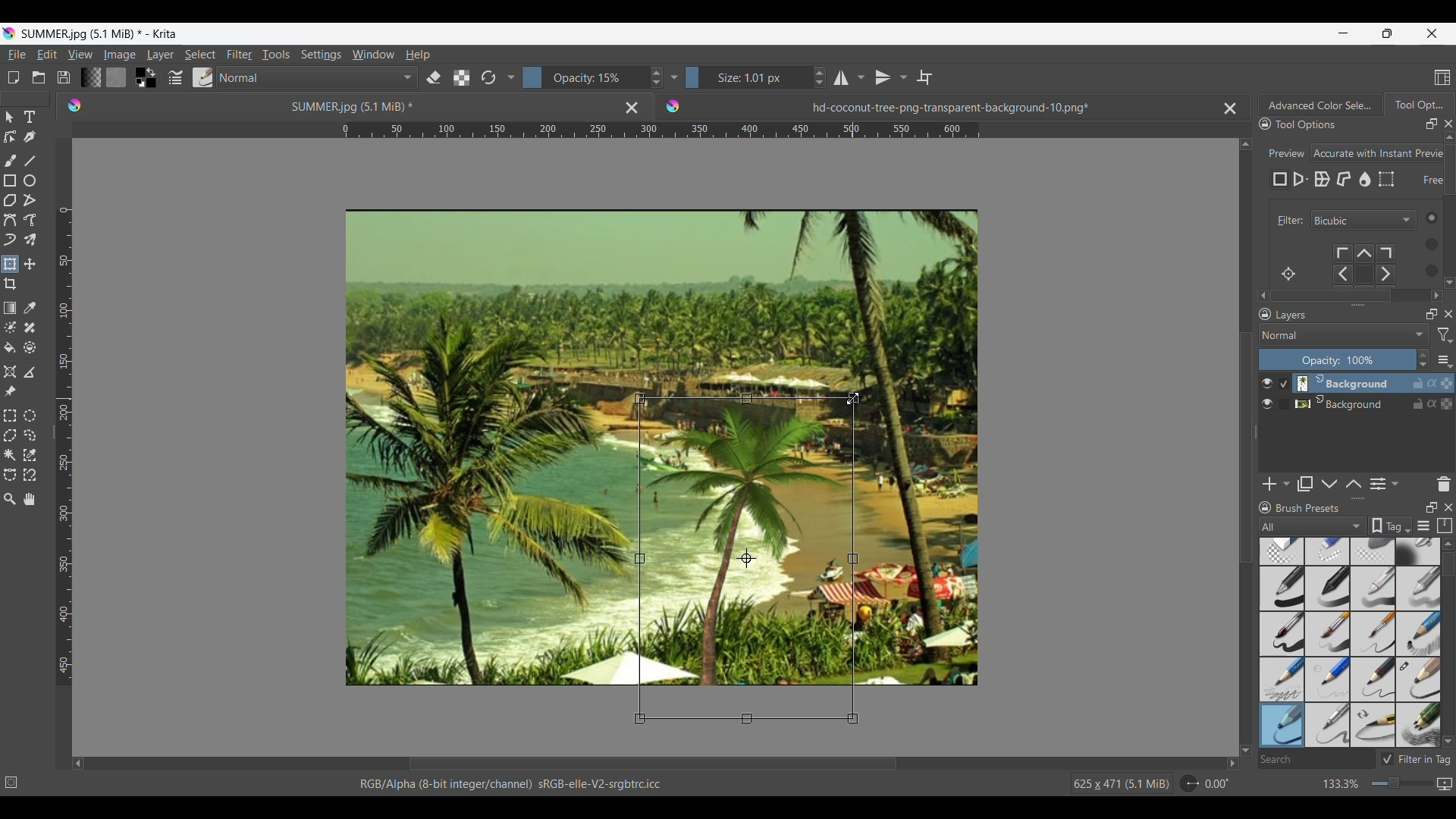 The height and width of the screenshot is (819, 1456). What do you see at coordinates (29, 118) in the screenshot?
I see `Text tool` at bounding box center [29, 118].